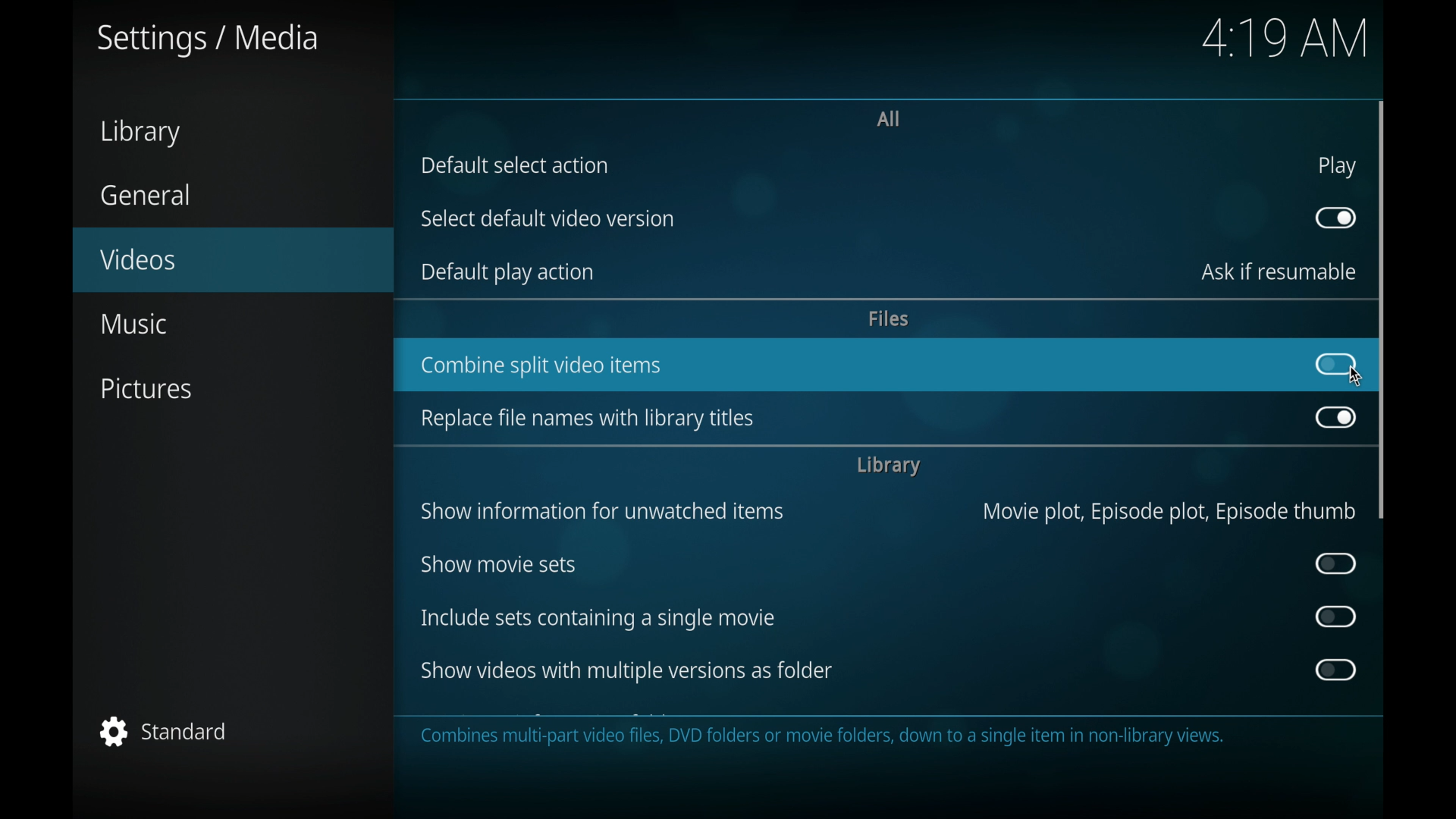 The height and width of the screenshot is (819, 1456). What do you see at coordinates (541, 366) in the screenshot?
I see `combine splot video items` at bounding box center [541, 366].